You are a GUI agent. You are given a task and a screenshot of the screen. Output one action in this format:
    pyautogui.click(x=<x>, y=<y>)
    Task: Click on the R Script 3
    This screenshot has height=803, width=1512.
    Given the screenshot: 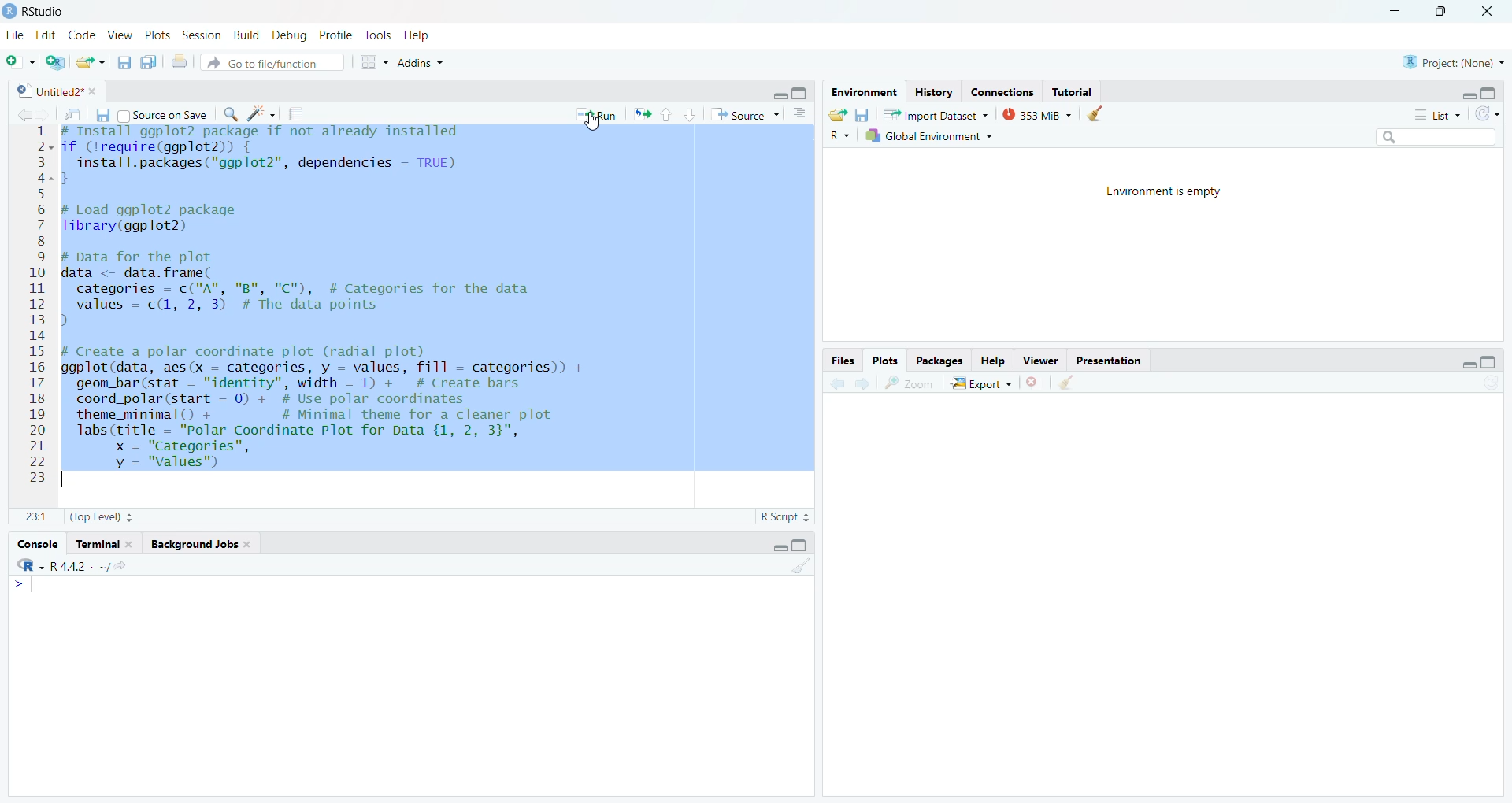 What is the action you would take?
    pyautogui.click(x=787, y=515)
    